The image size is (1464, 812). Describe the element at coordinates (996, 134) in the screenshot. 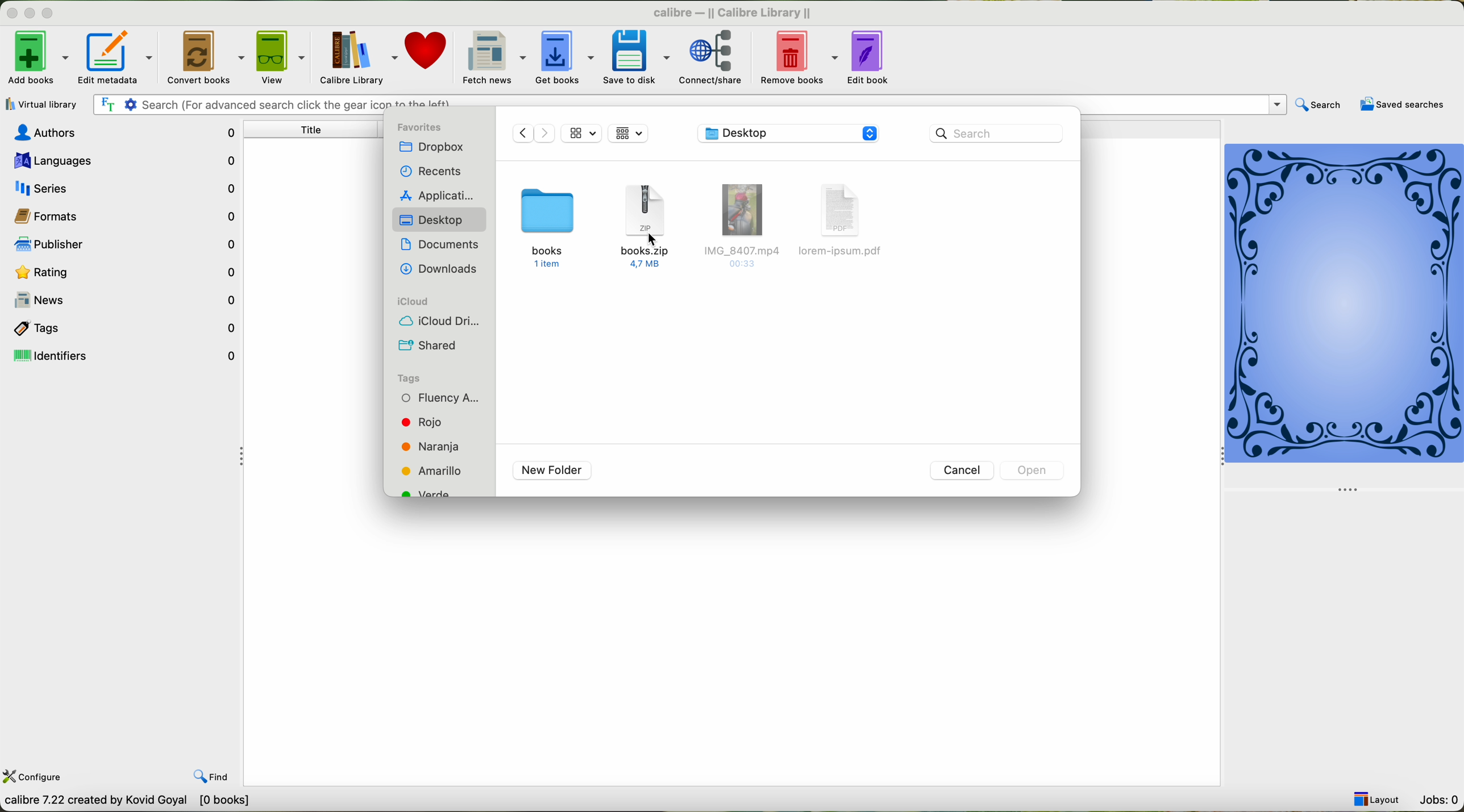

I see `search bar` at that location.